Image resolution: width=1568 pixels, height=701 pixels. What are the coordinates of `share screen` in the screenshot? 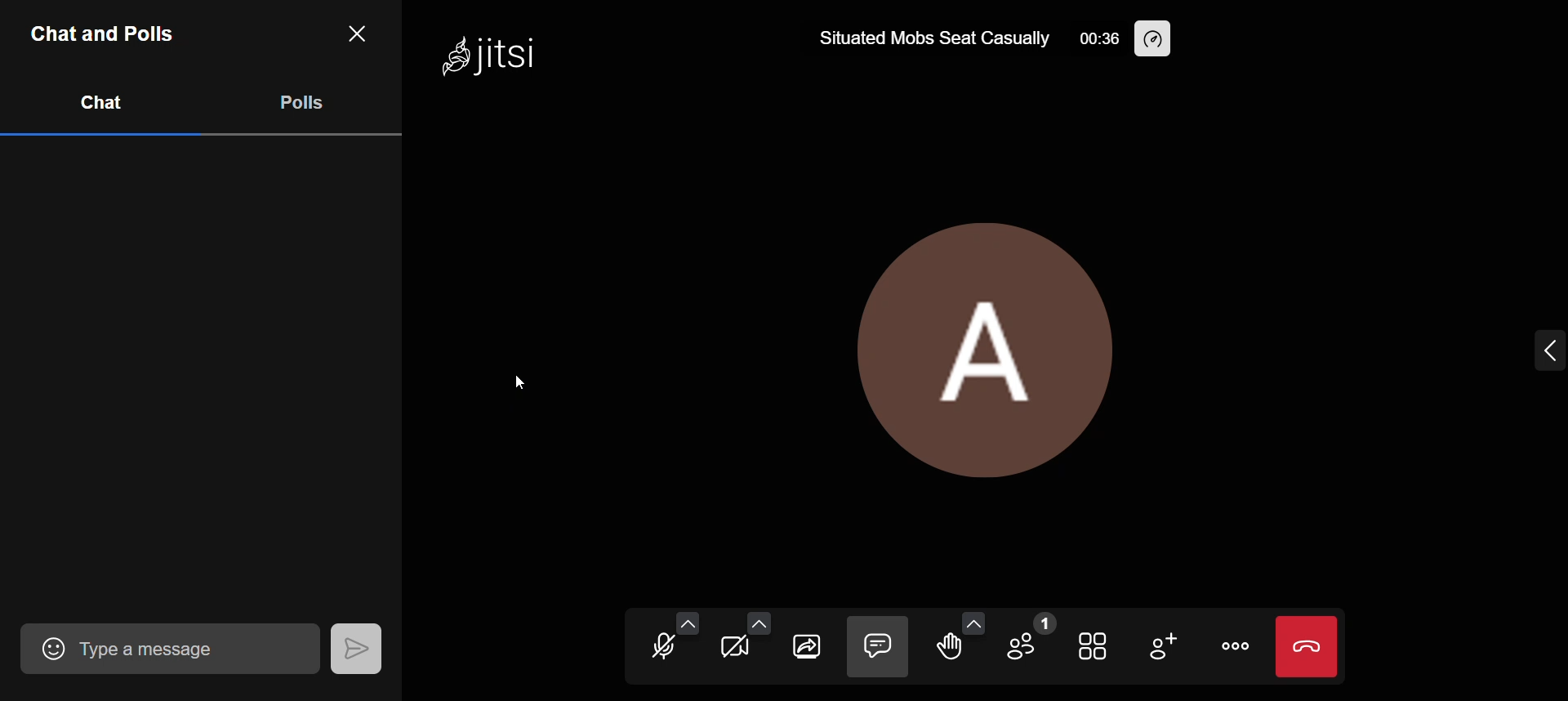 It's located at (808, 645).